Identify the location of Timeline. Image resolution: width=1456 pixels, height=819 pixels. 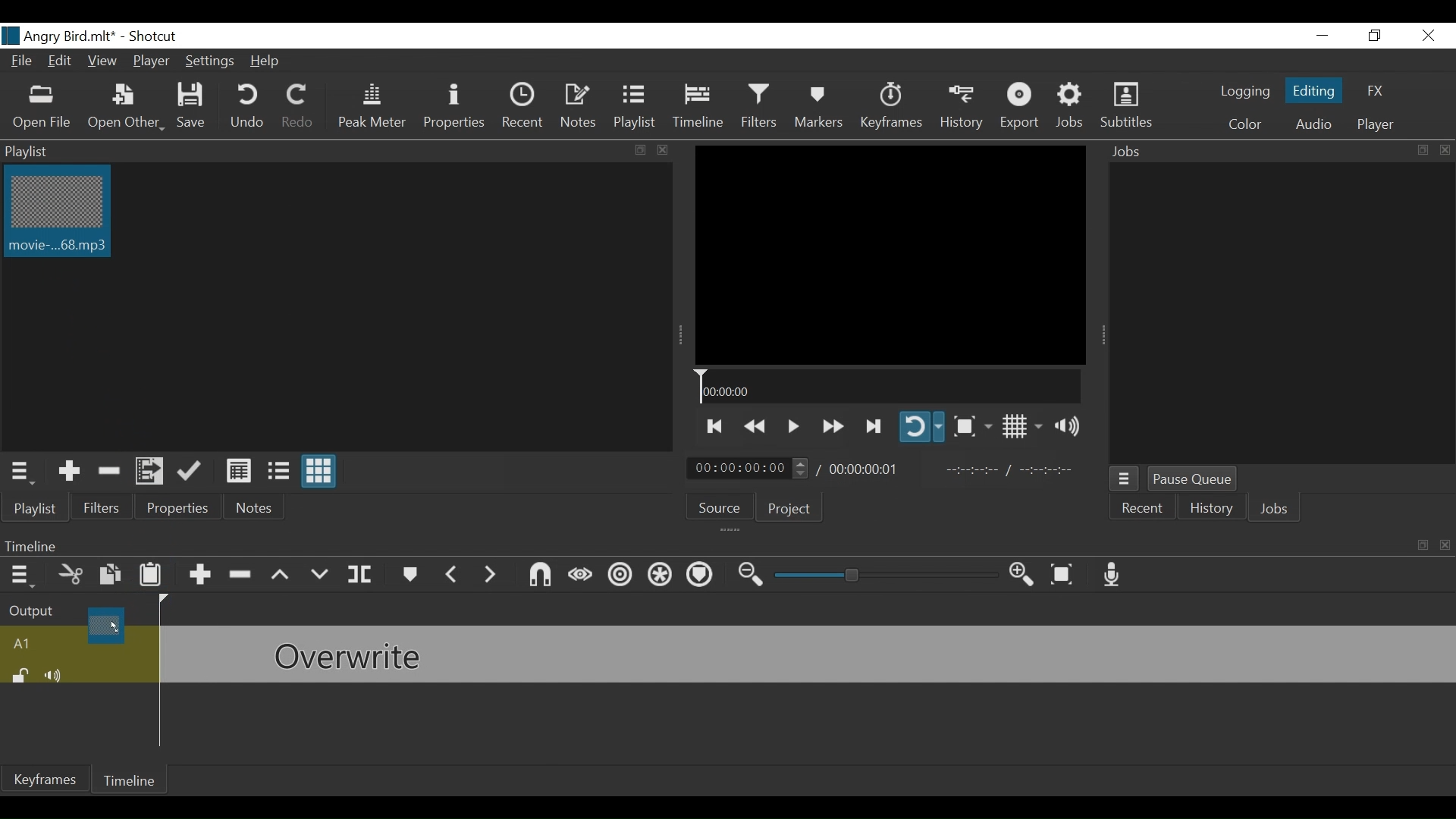
(698, 106).